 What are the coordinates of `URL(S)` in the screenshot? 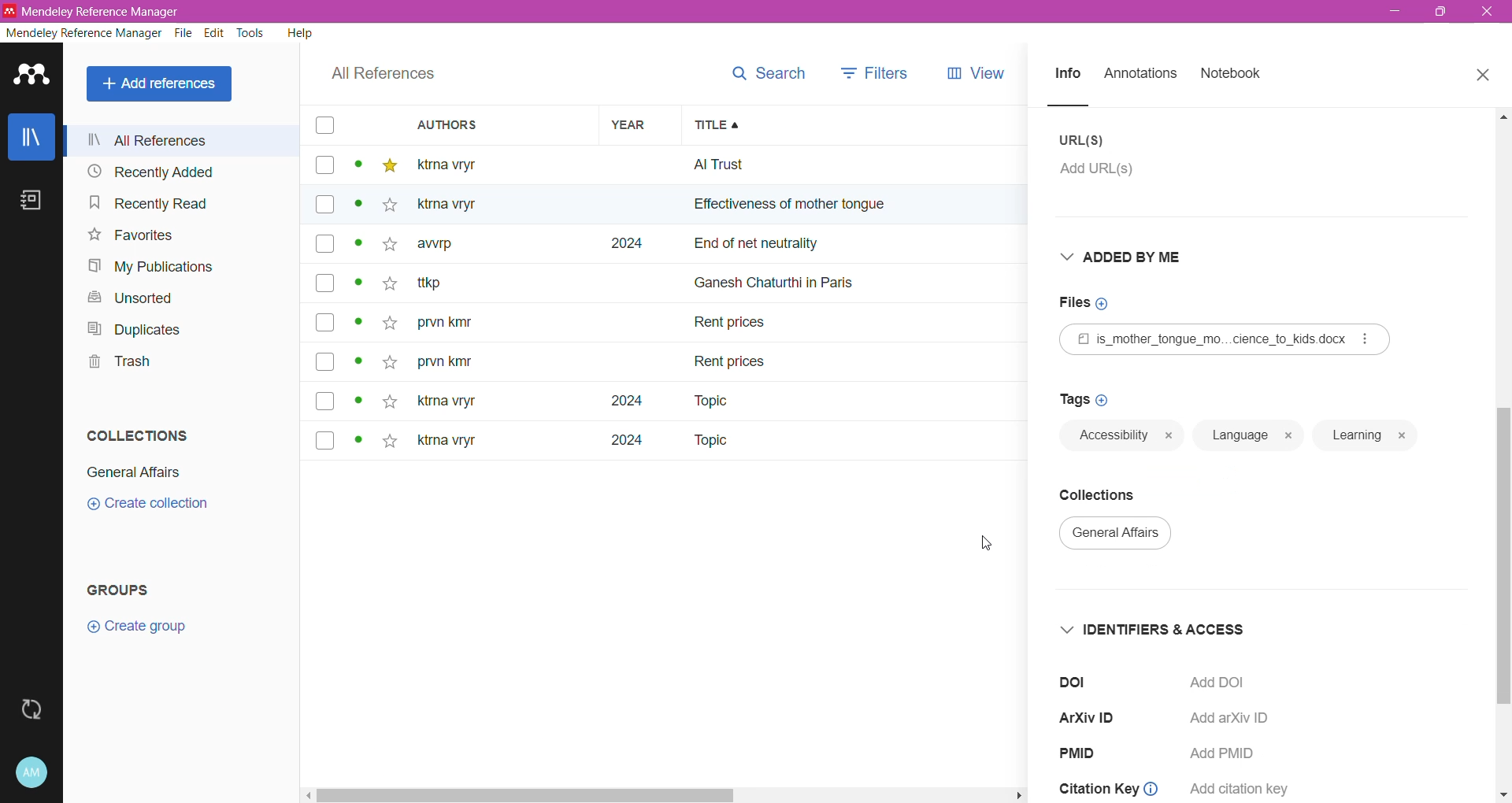 It's located at (1084, 140).